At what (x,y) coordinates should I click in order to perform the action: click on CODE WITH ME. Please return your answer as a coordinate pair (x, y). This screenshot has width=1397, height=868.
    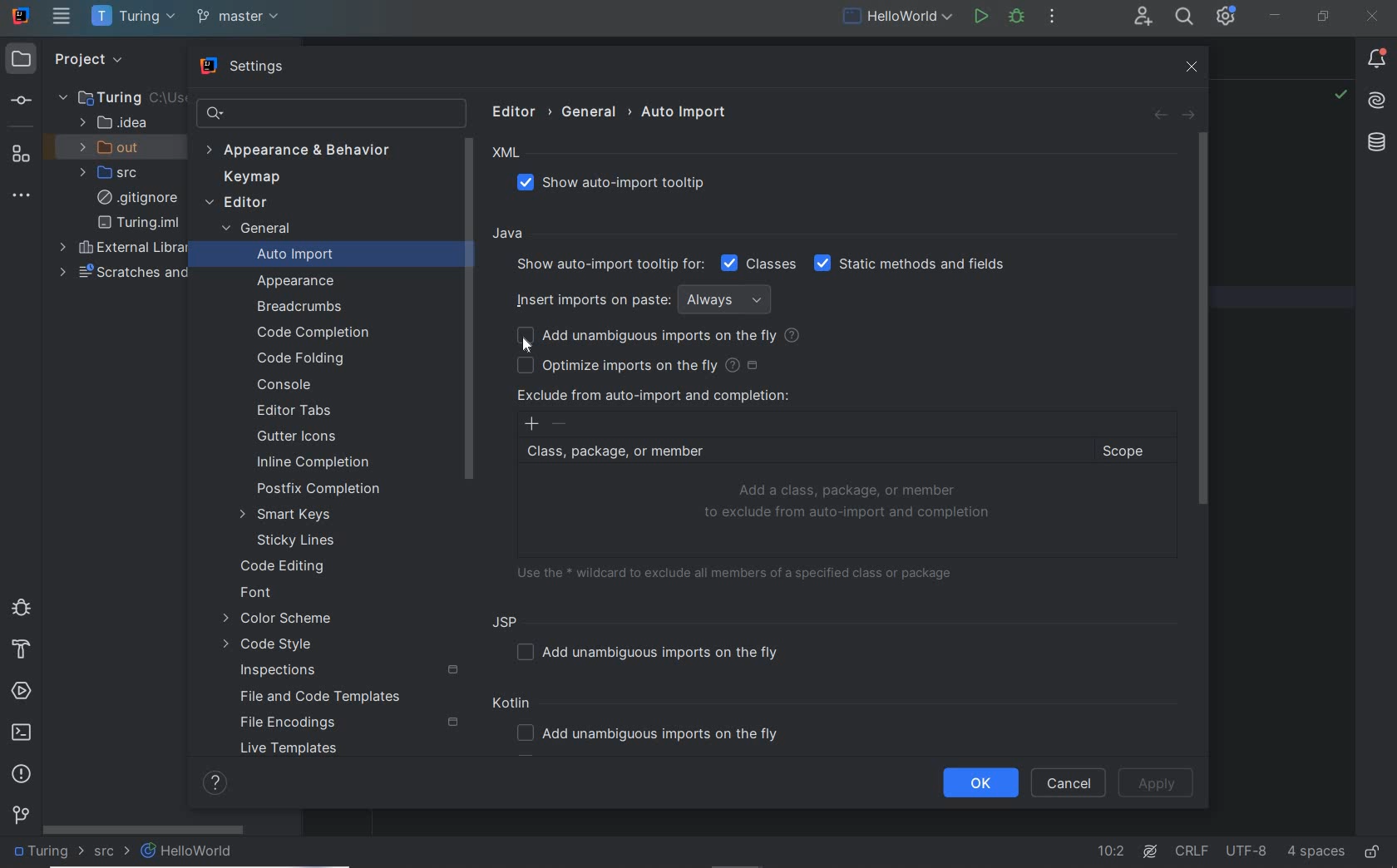
    Looking at the image, I should click on (1142, 17).